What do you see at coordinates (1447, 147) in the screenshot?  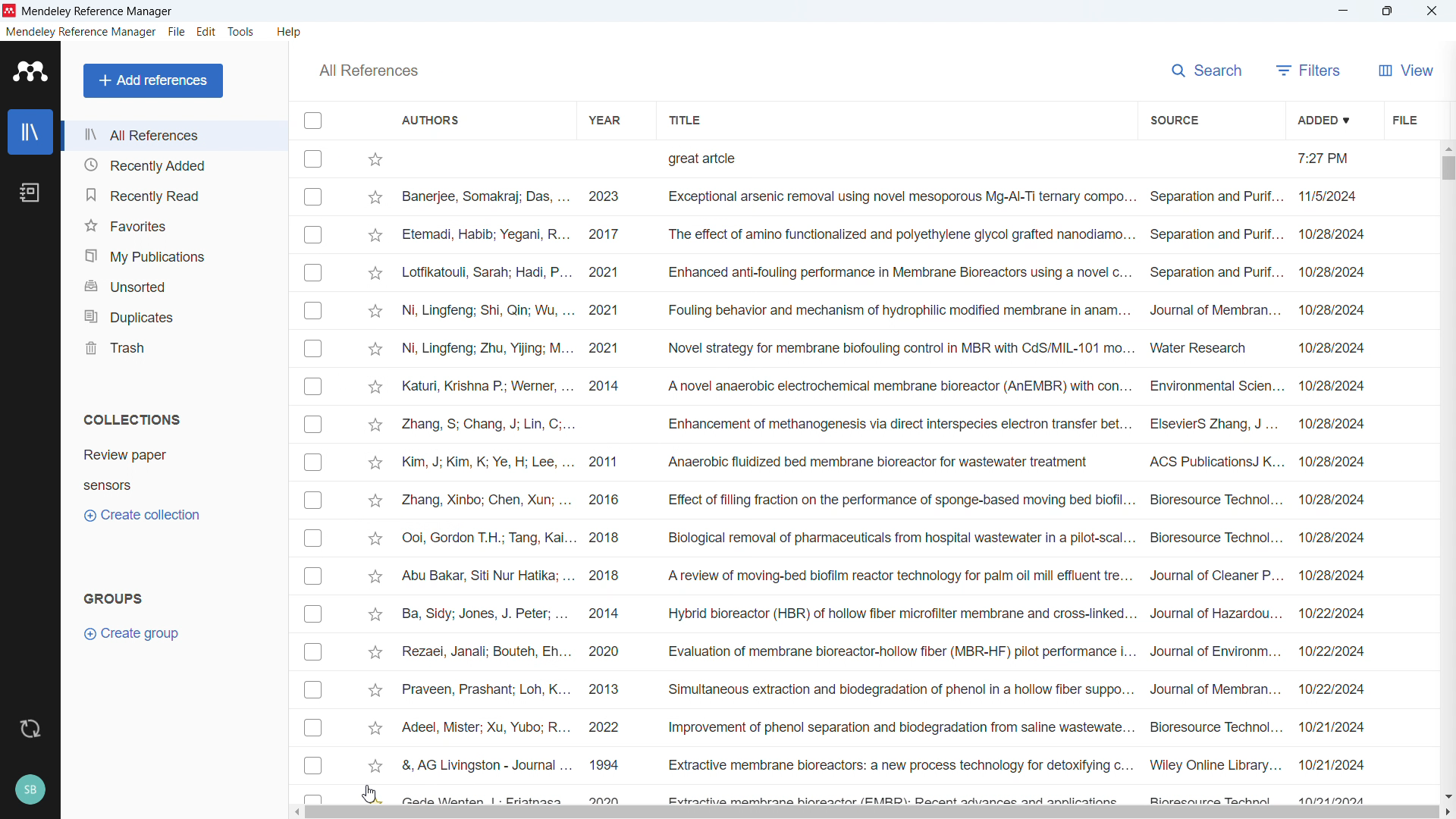 I see `Scroll up ` at bounding box center [1447, 147].